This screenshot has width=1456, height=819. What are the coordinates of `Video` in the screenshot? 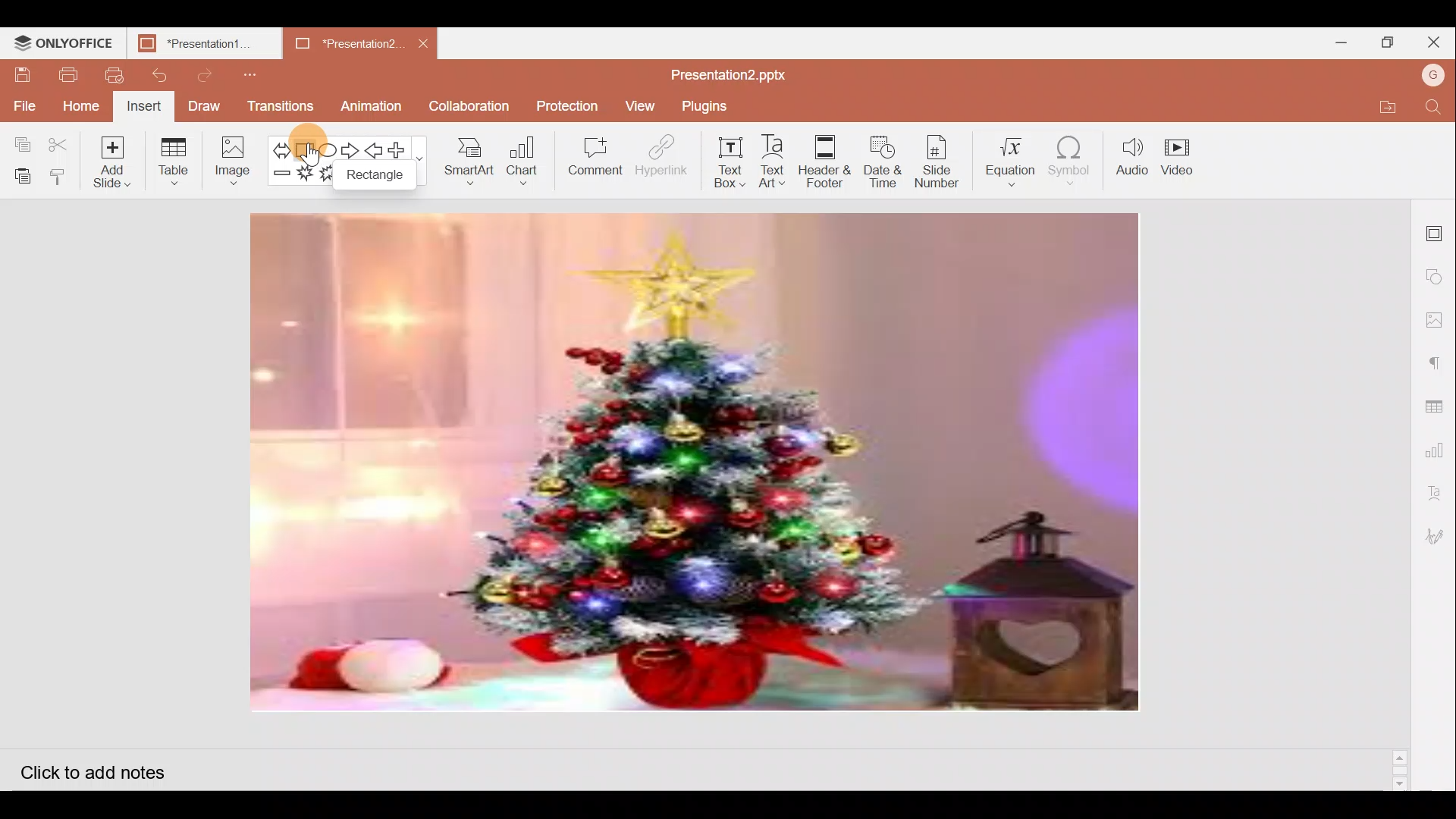 It's located at (1182, 162).